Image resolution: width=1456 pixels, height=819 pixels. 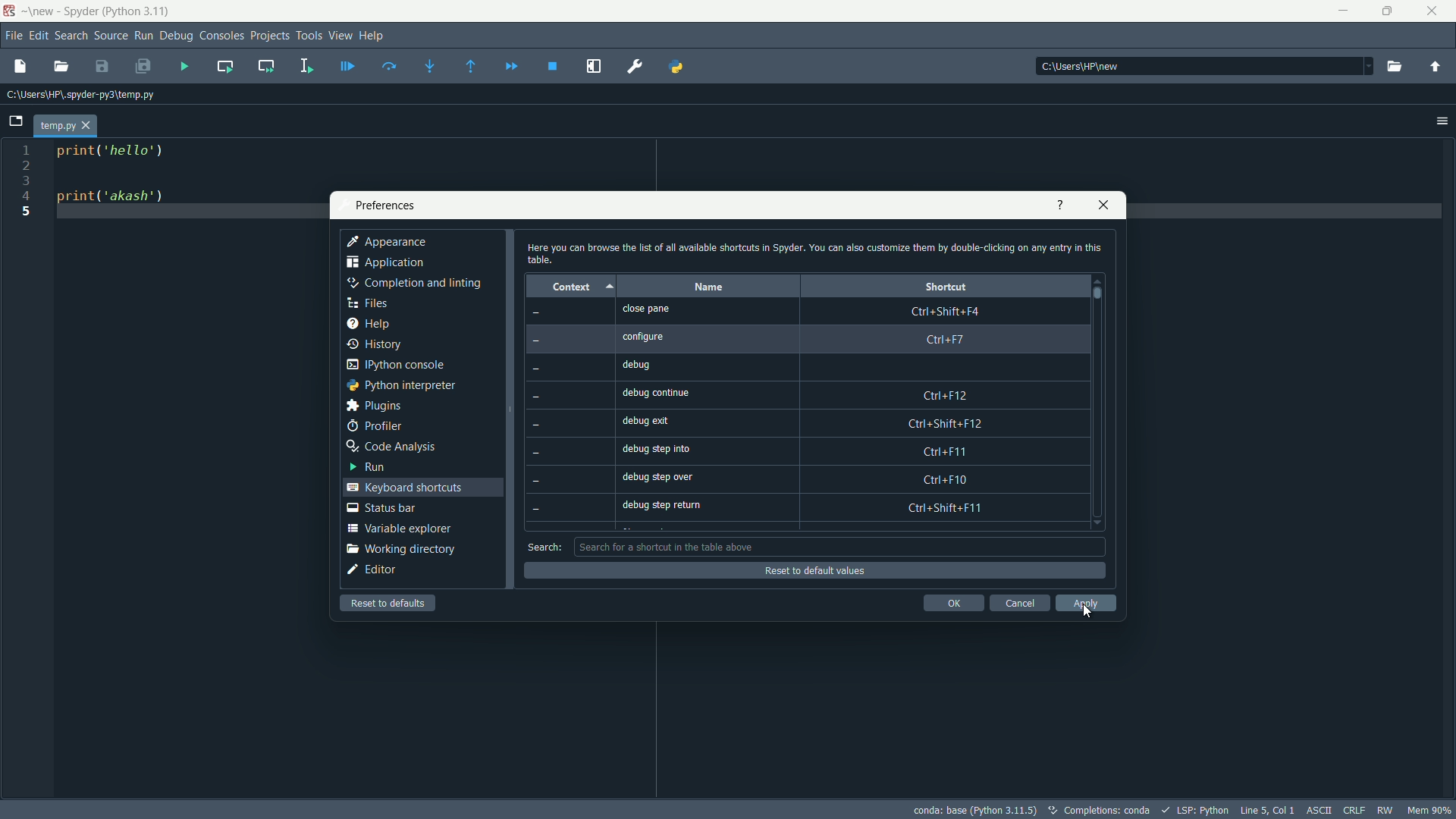 What do you see at coordinates (16, 121) in the screenshot?
I see `browse tabs` at bounding box center [16, 121].